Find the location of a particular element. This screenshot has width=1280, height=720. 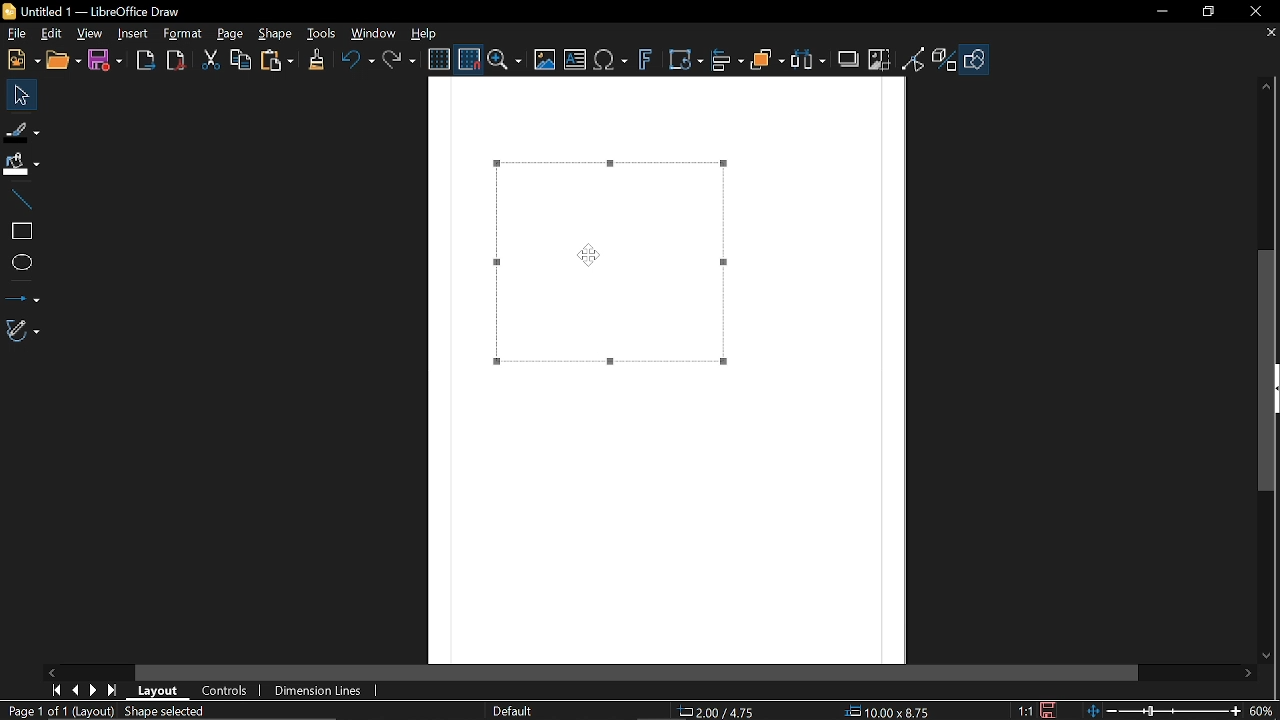

Help is located at coordinates (425, 33).